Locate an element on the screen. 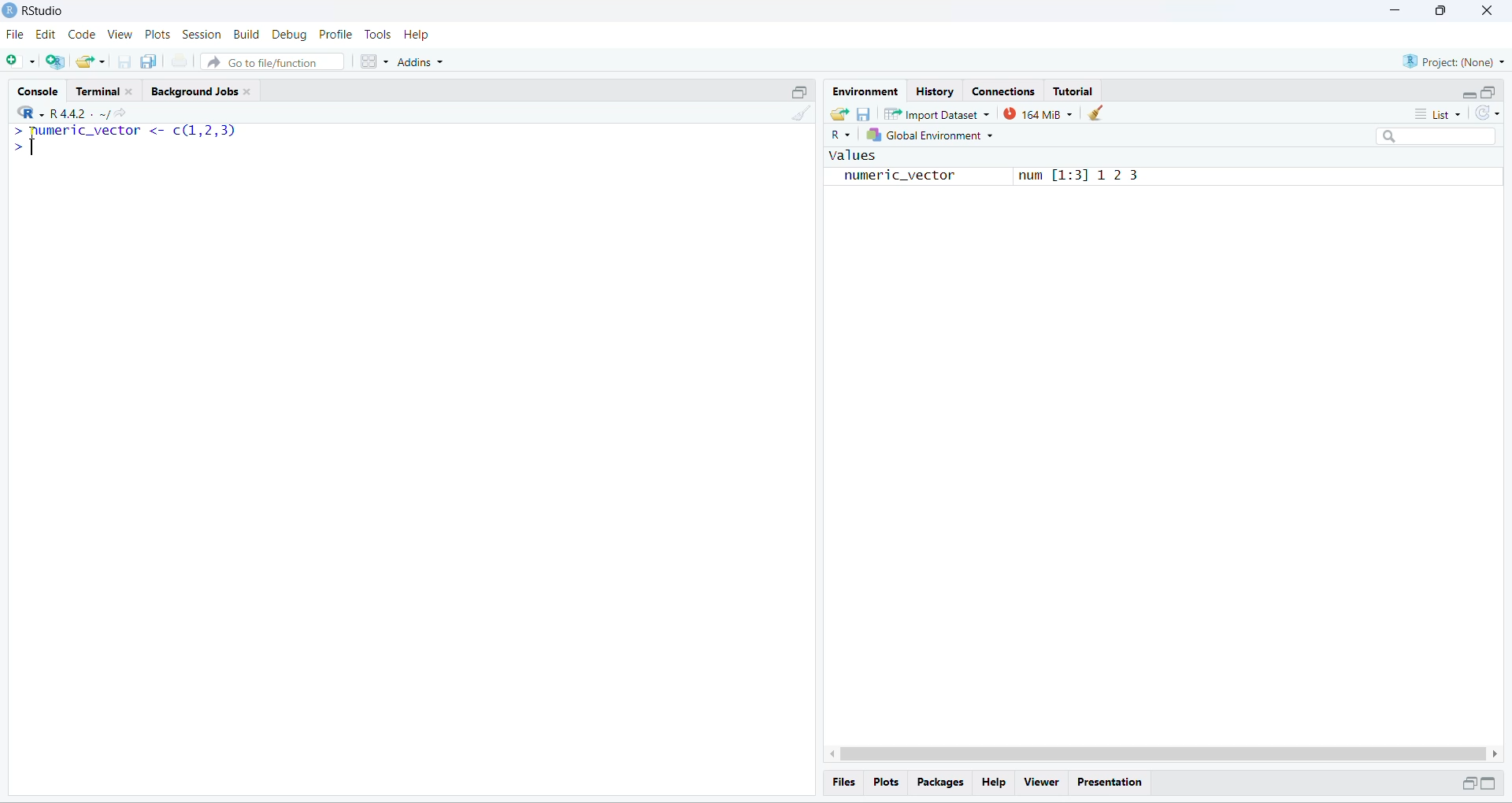 The image size is (1512, 803). save current document is located at coordinates (124, 62).